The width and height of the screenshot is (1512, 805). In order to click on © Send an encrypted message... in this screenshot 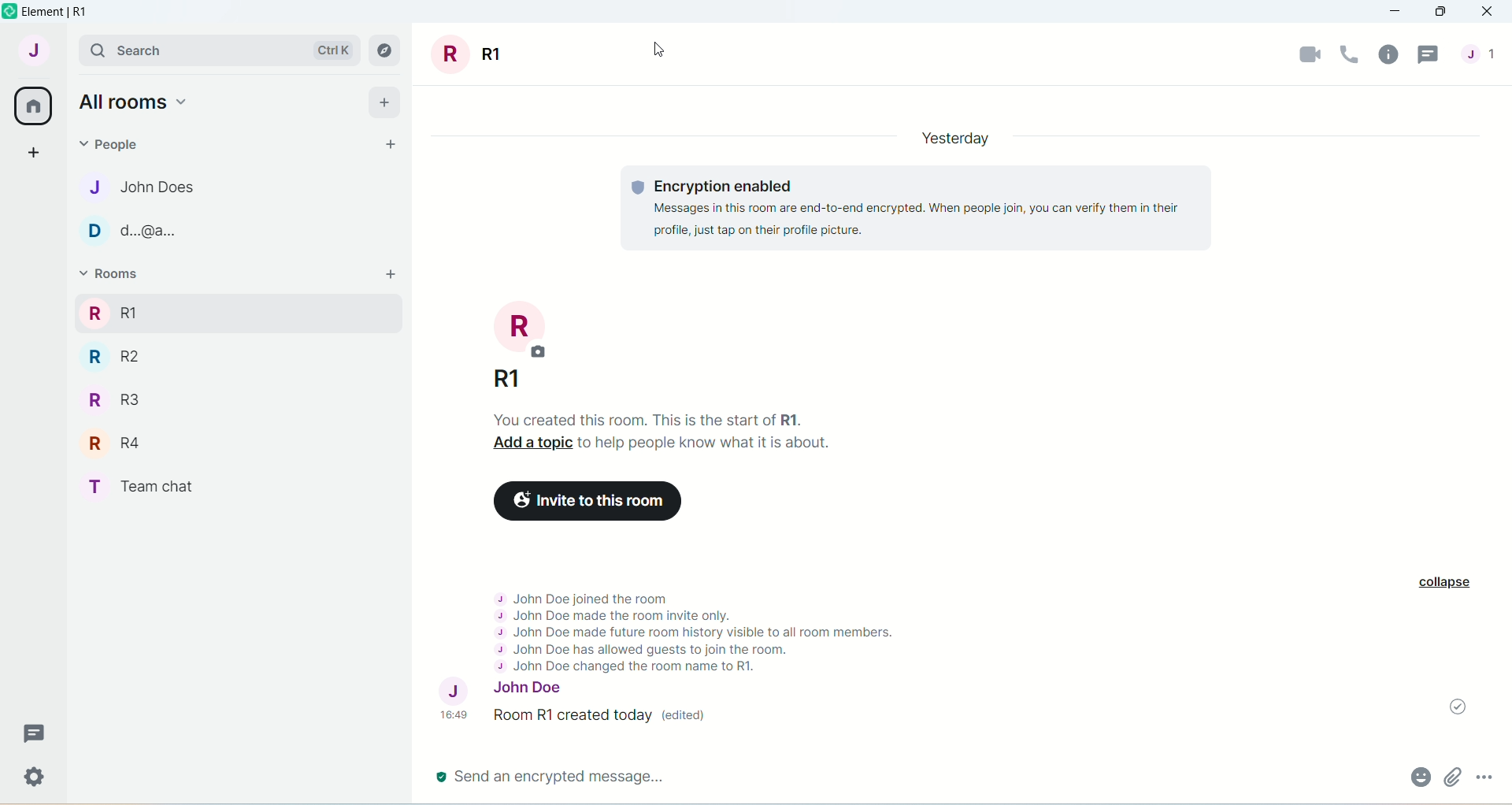, I will do `click(887, 777)`.